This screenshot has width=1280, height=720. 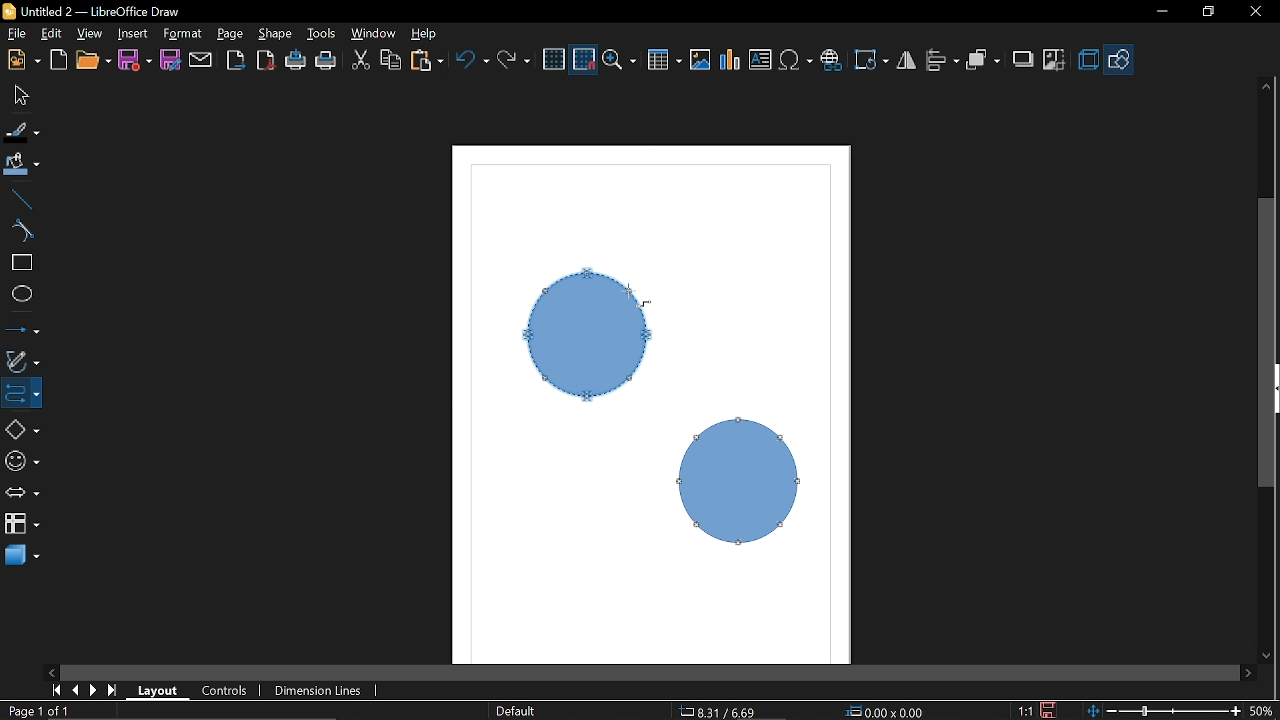 What do you see at coordinates (22, 495) in the screenshot?
I see `Arrows` at bounding box center [22, 495].